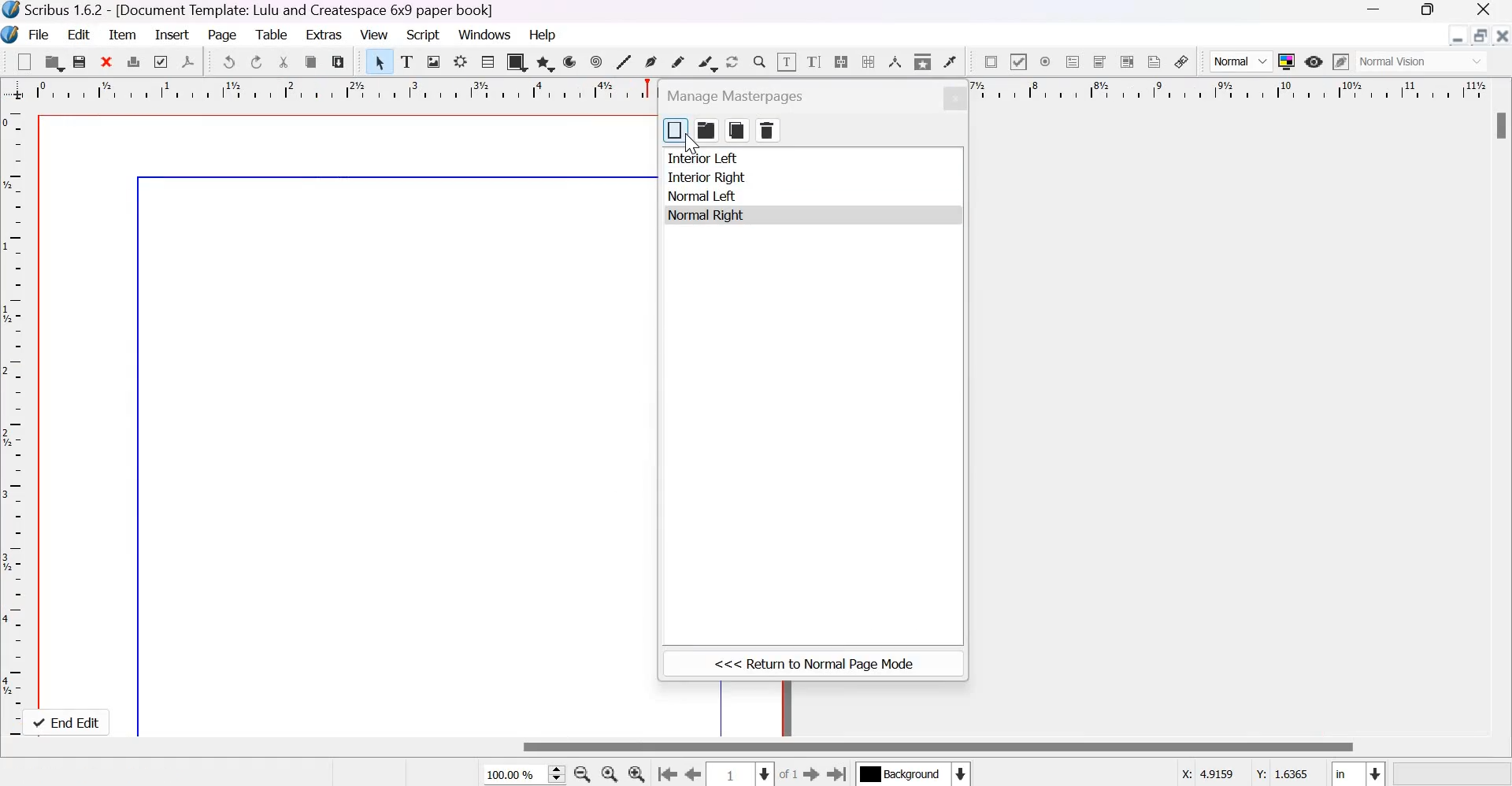 The width and height of the screenshot is (1512, 786). What do you see at coordinates (545, 62) in the screenshot?
I see `polygon` at bounding box center [545, 62].